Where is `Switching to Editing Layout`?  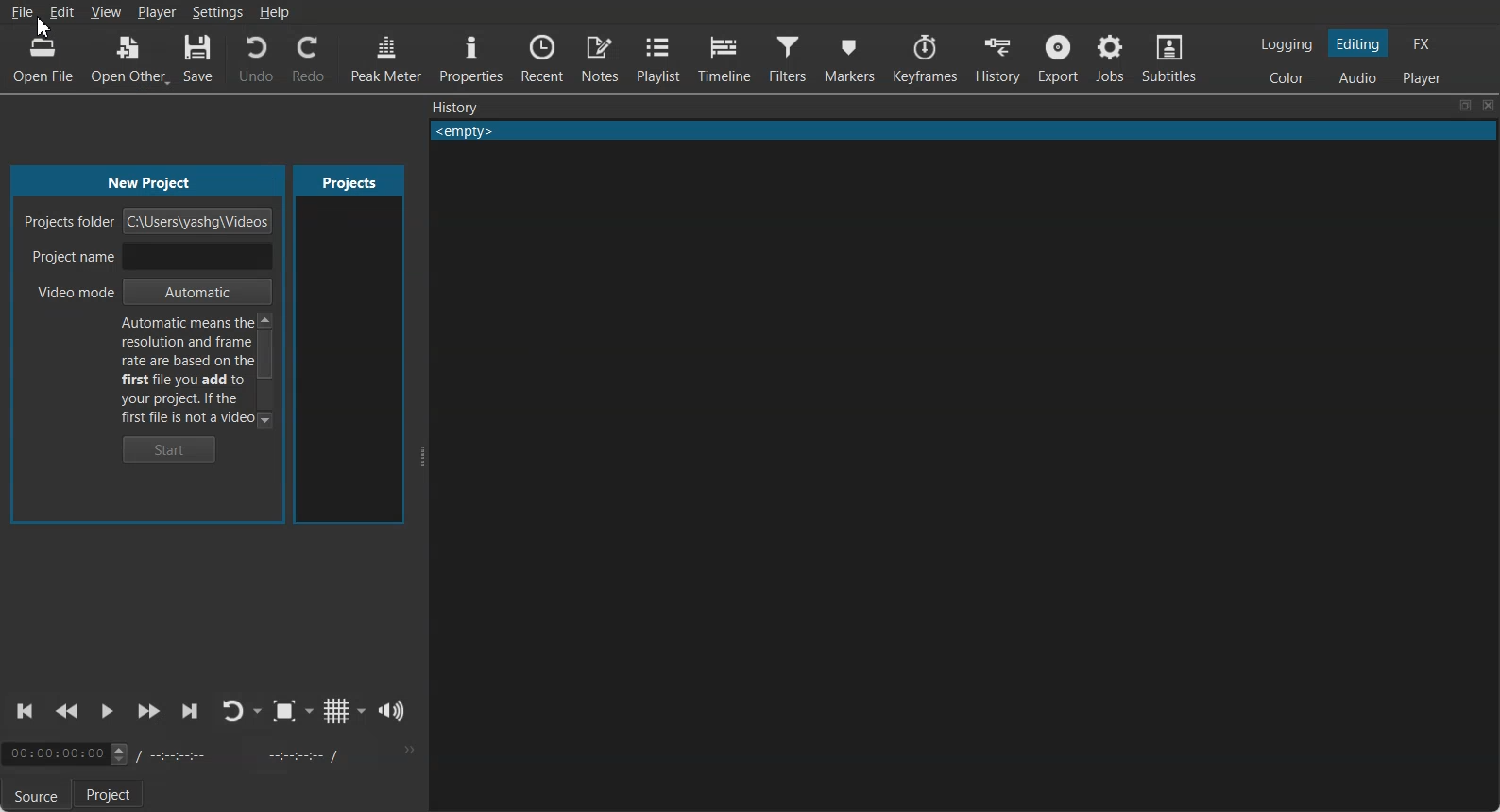
Switching to Editing Layout is located at coordinates (1356, 43).